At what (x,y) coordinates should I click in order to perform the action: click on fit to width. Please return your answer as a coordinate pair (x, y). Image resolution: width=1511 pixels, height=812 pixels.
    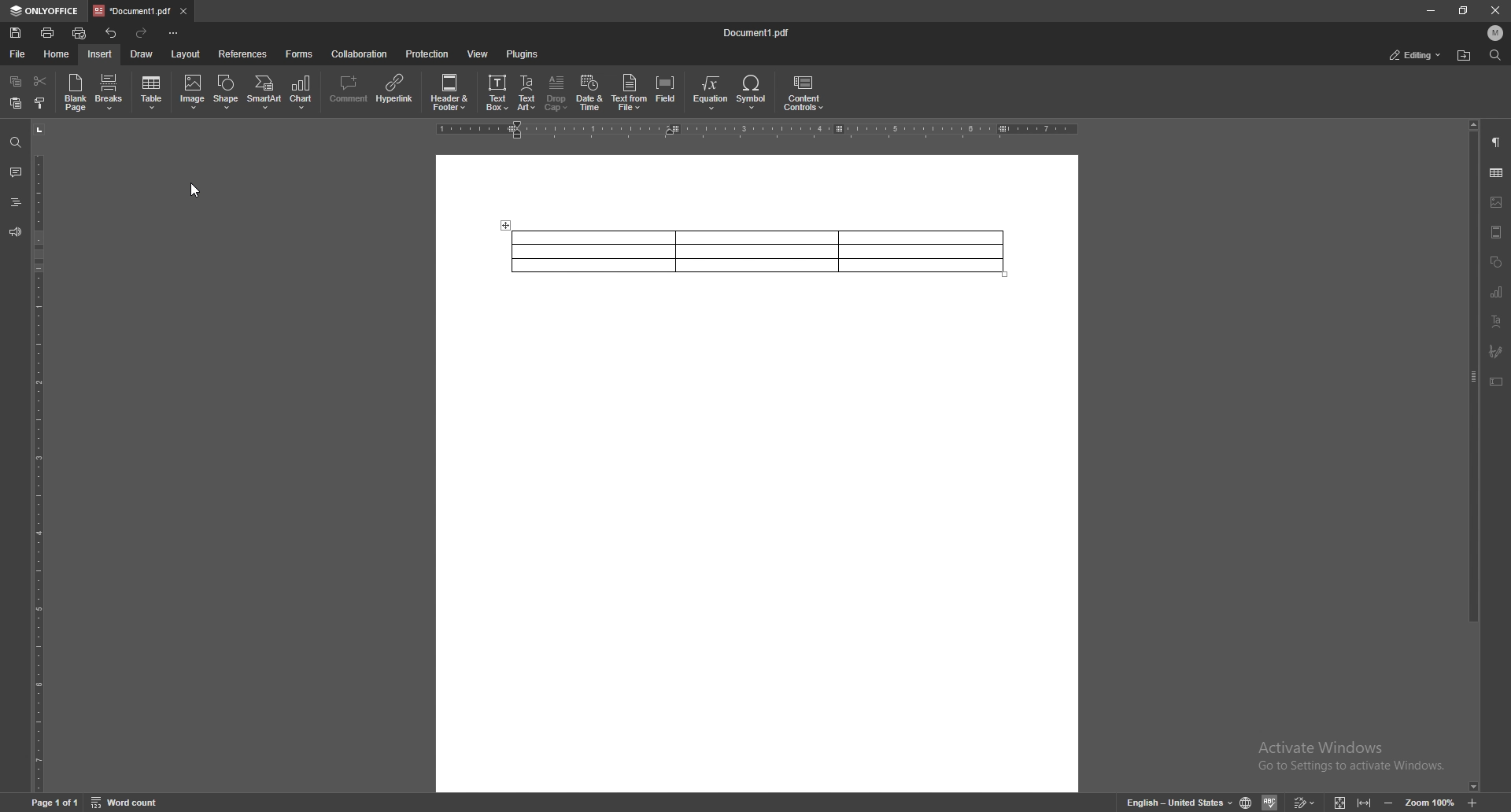
    Looking at the image, I should click on (1365, 803).